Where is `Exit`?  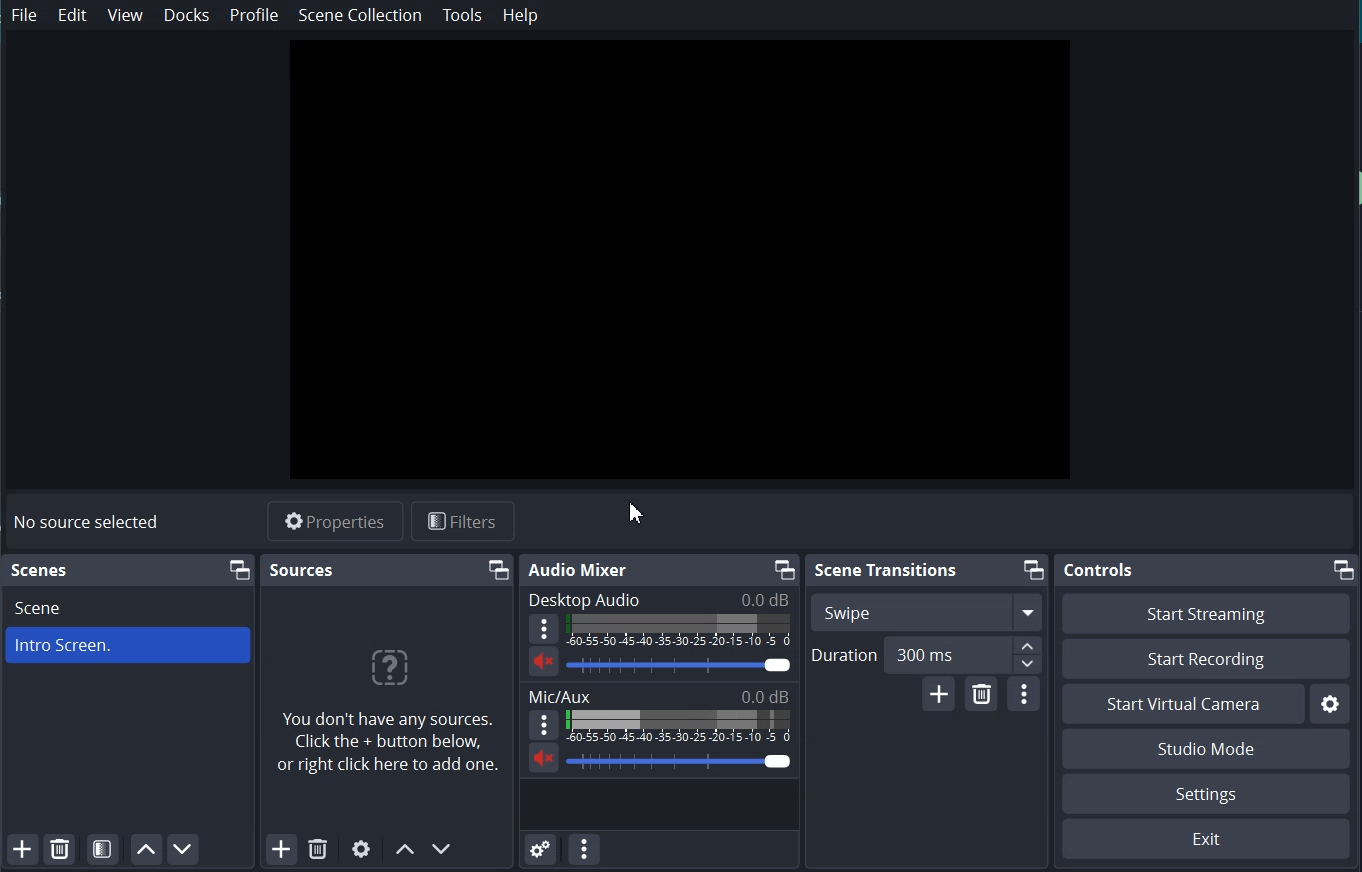 Exit is located at coordinates (1207, 838).